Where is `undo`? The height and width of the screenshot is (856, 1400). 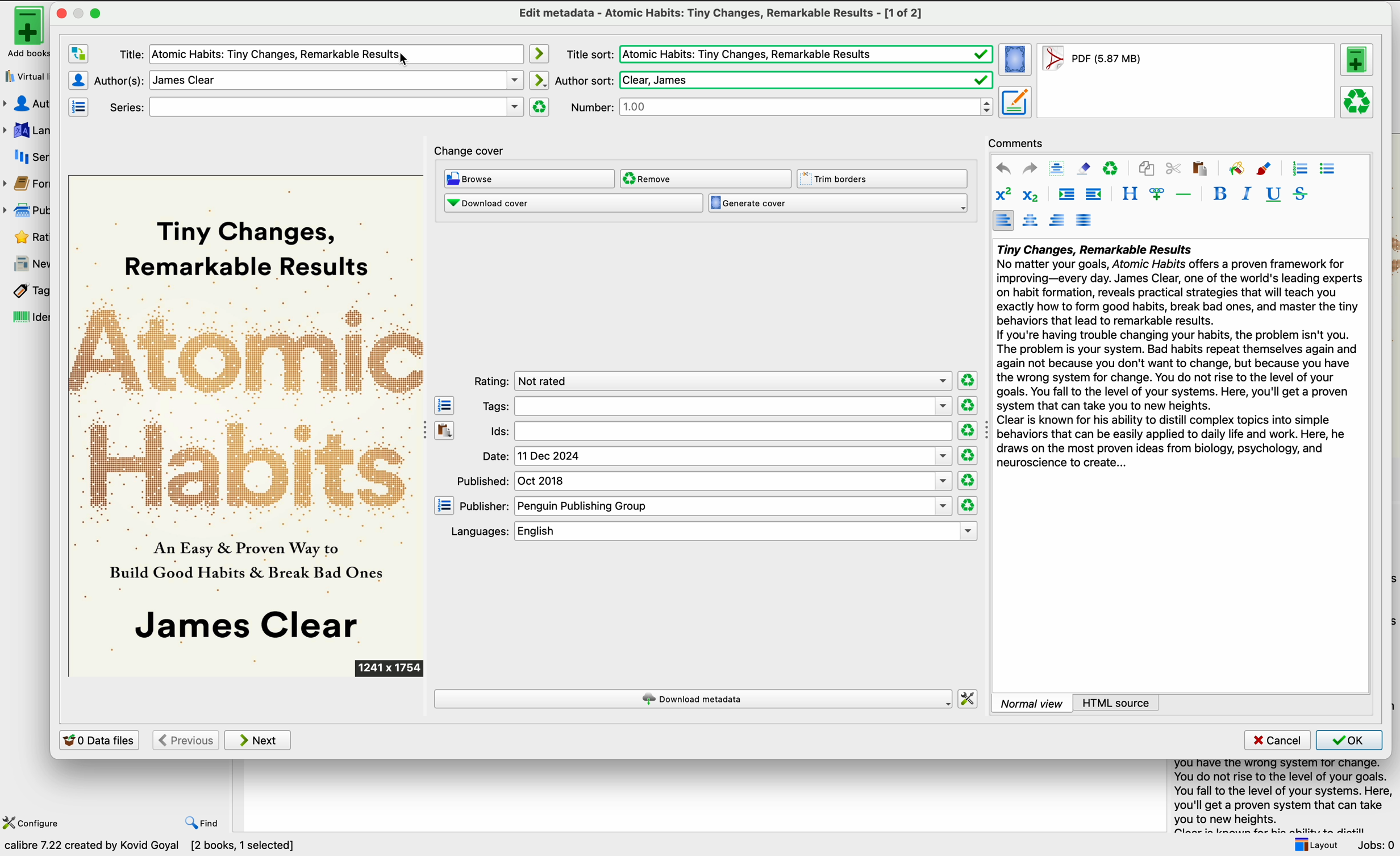
undo is located at coordinates (1003, 168).